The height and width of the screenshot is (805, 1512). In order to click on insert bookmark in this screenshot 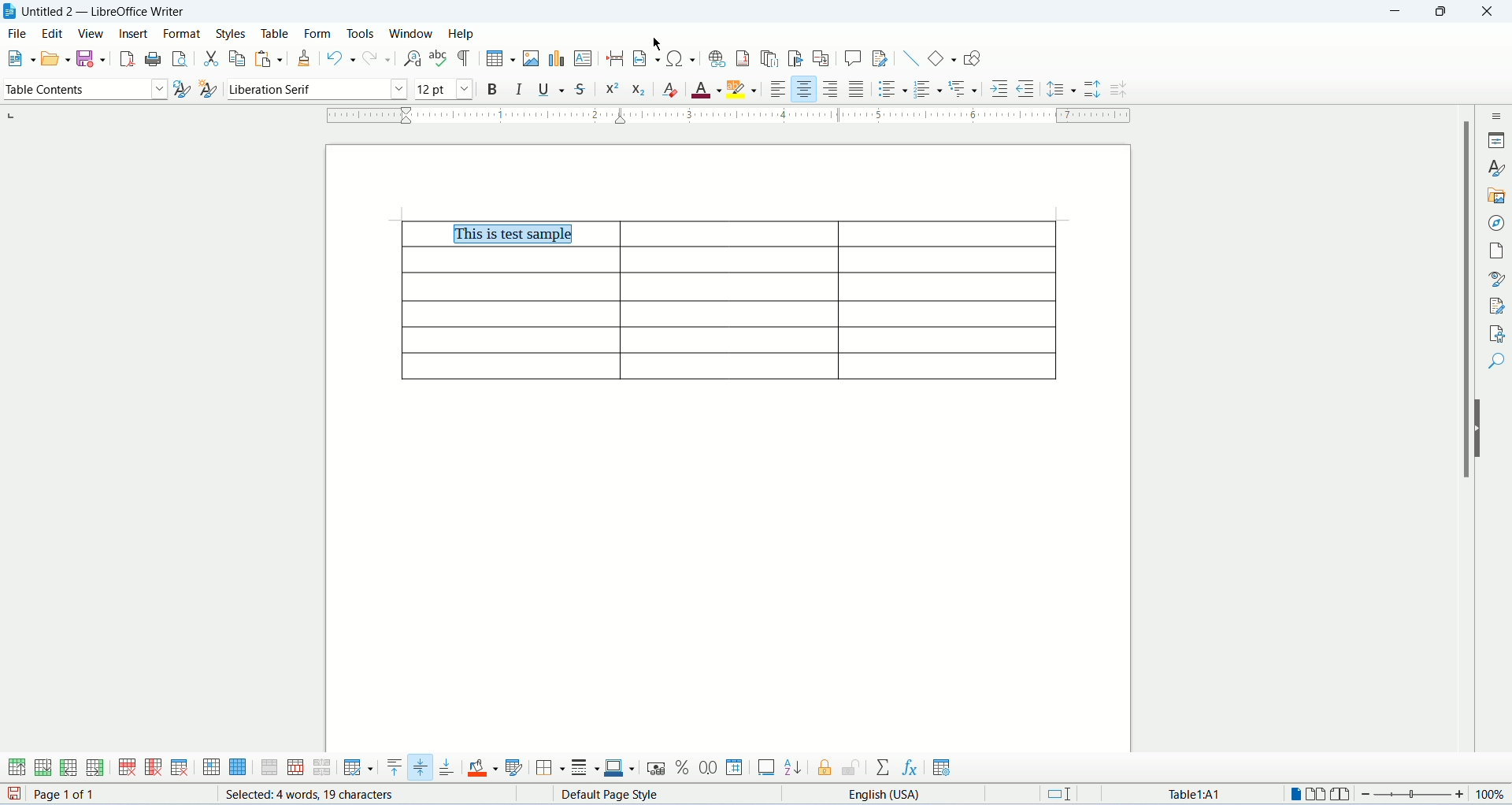, I will do `click(797, 56)`.